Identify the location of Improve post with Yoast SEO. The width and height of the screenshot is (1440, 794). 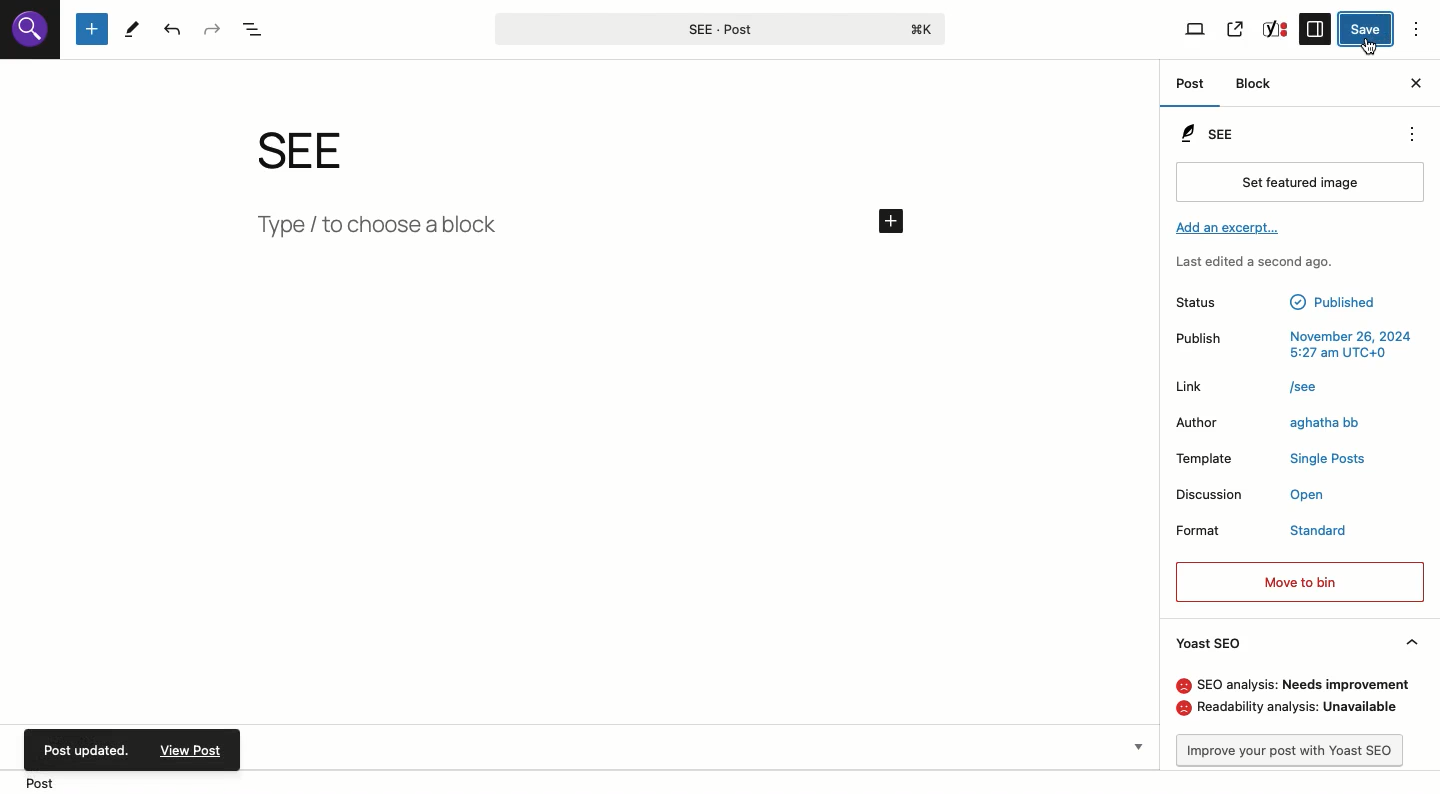
(1297, 750).